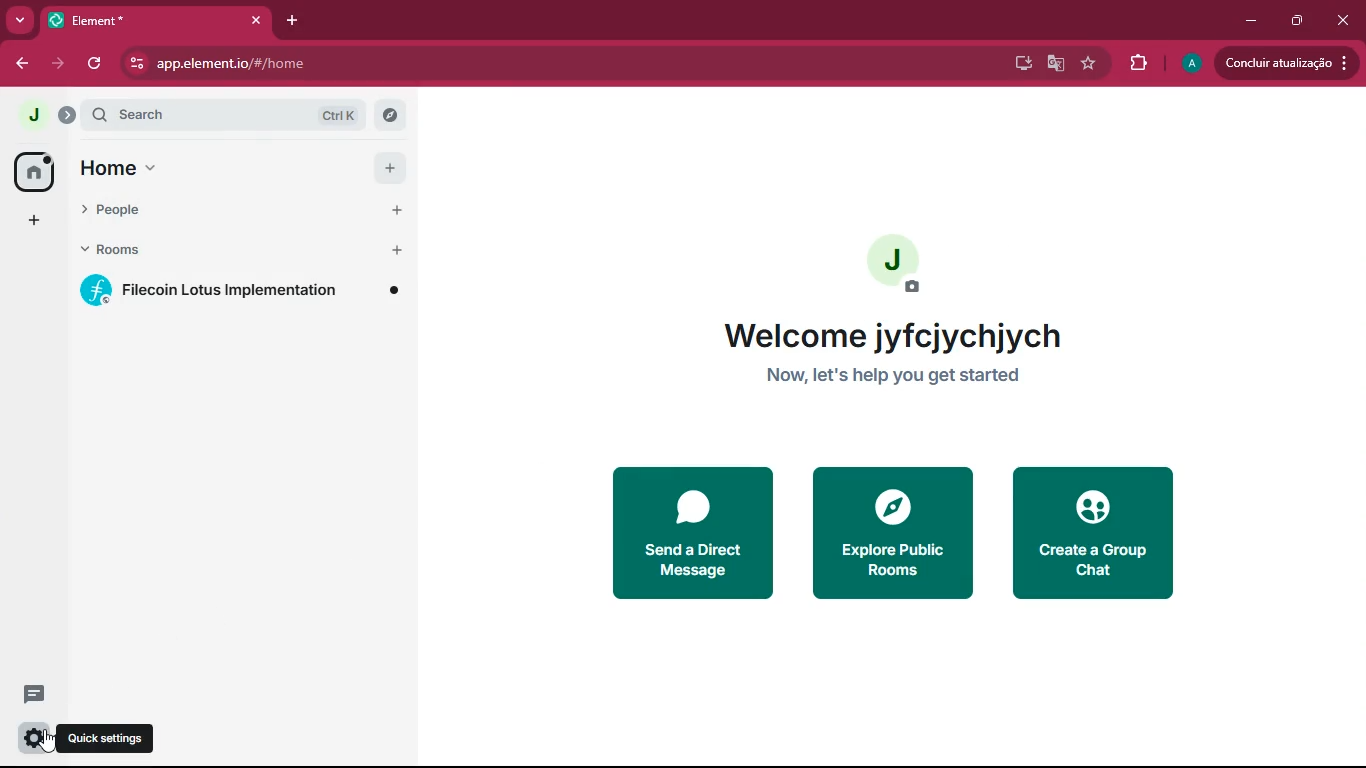 This screenshot has height=768, width=1366. I want to click on home, so click(32, 172).